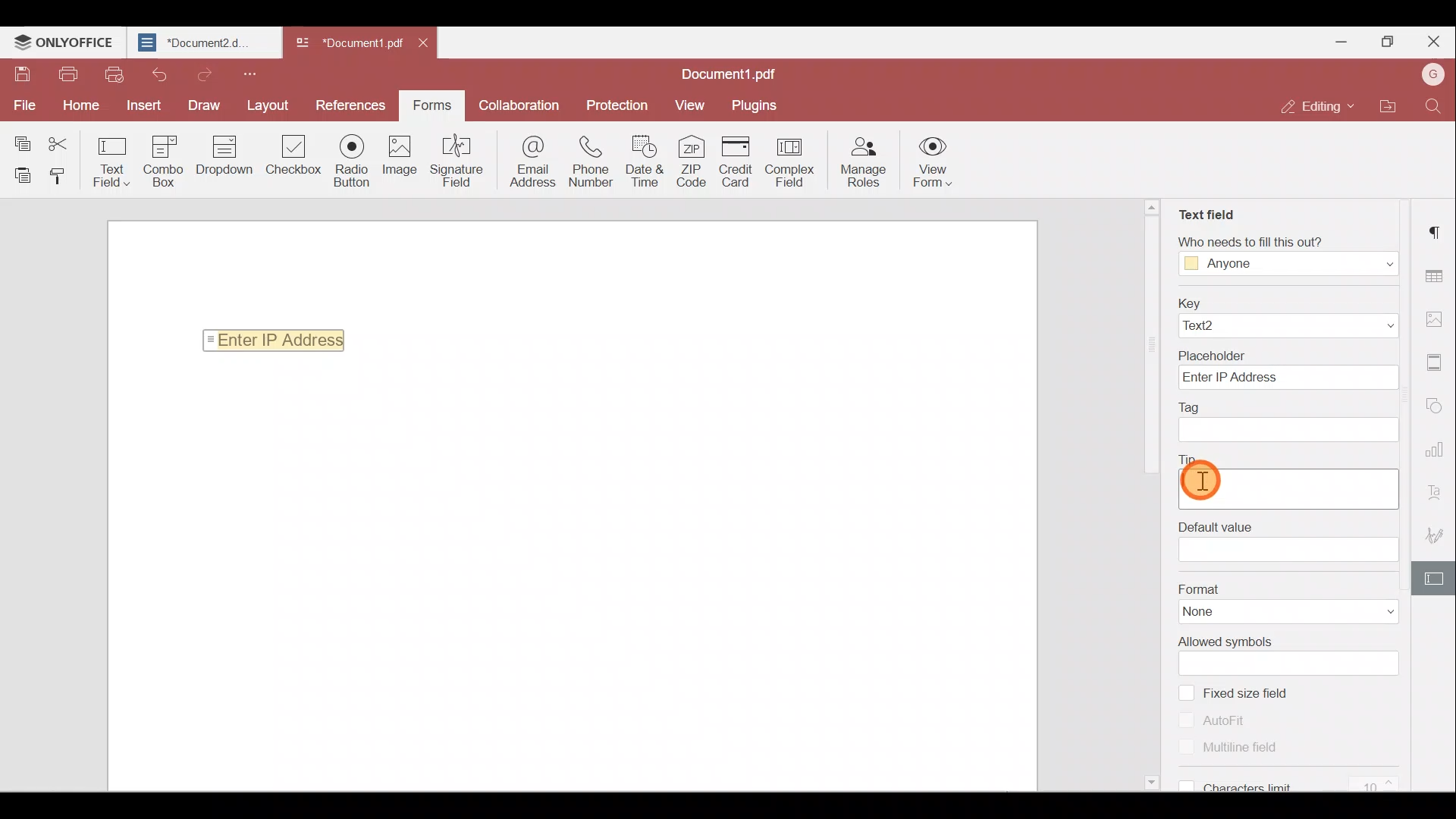  Describe the element at coordinates (1250, 749) in the screenshot. I see `Multiline field` at that location.